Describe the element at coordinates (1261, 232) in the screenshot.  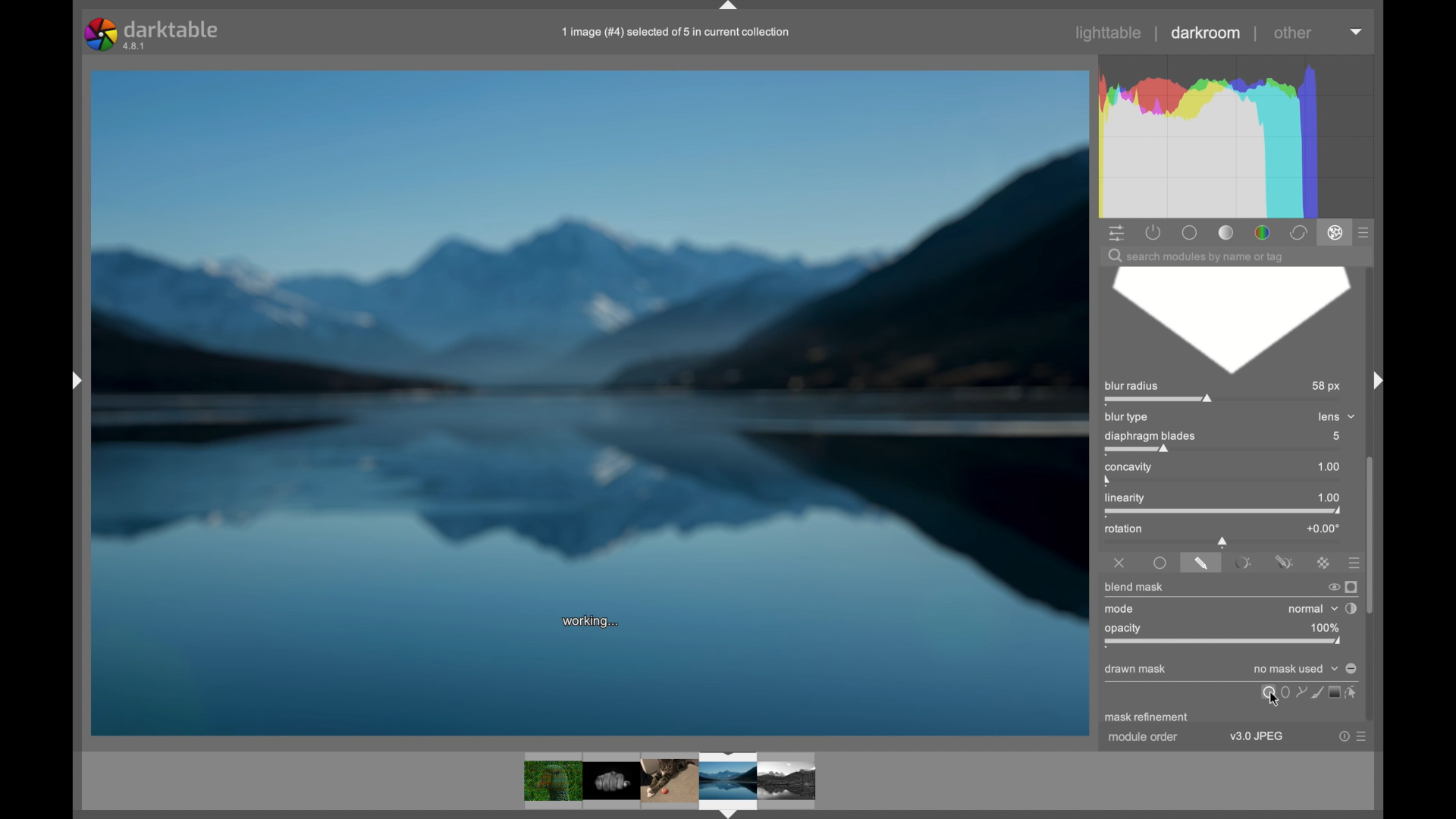
I see `color` at that location.